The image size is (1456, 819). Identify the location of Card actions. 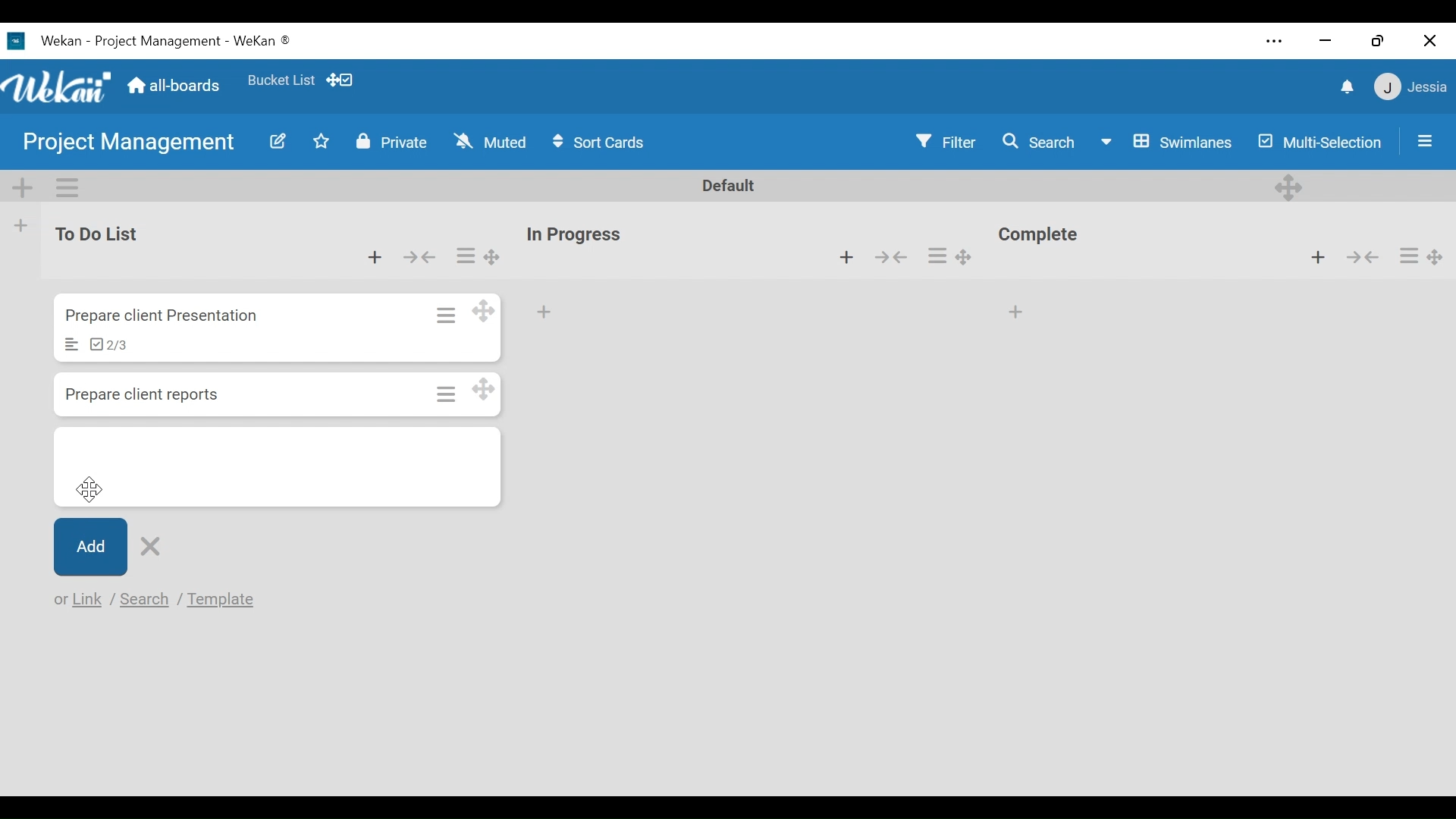
(1408, 255).